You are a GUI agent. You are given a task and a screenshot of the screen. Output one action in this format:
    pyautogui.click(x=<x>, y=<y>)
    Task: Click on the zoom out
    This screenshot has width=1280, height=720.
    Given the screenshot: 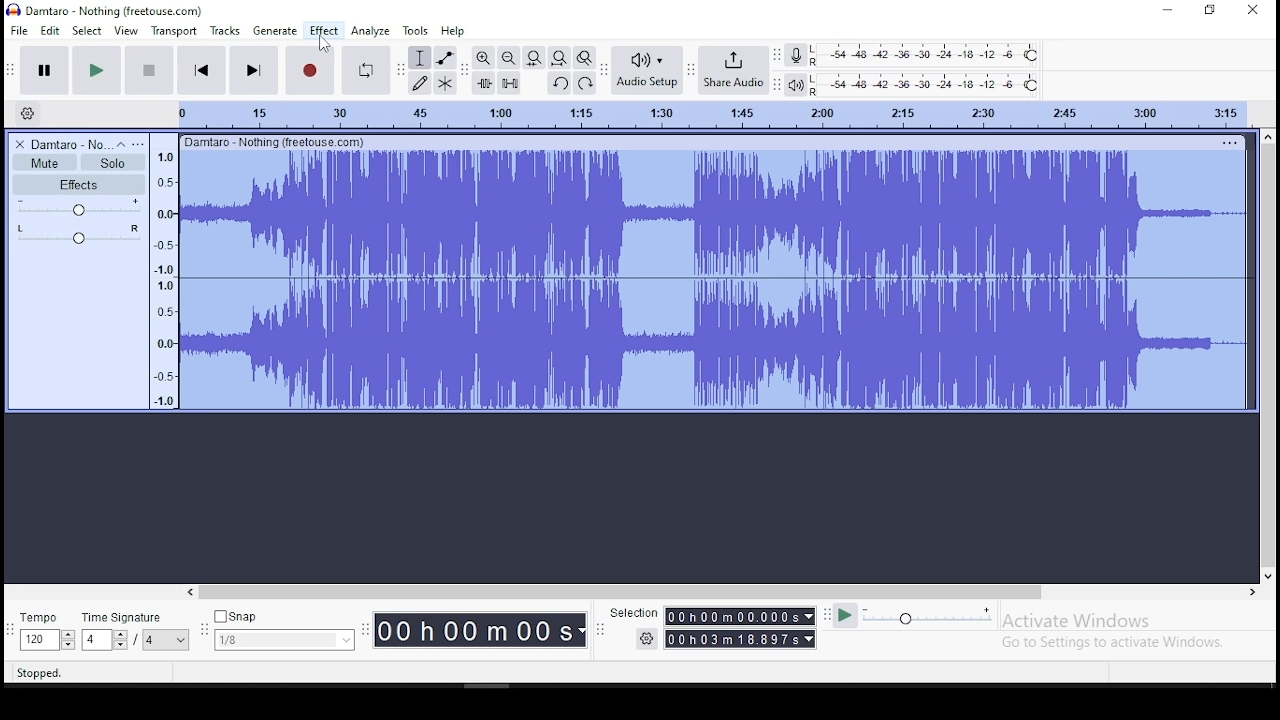 What is the action you would take?
    pyautogui.click(x=507, y=57)
    